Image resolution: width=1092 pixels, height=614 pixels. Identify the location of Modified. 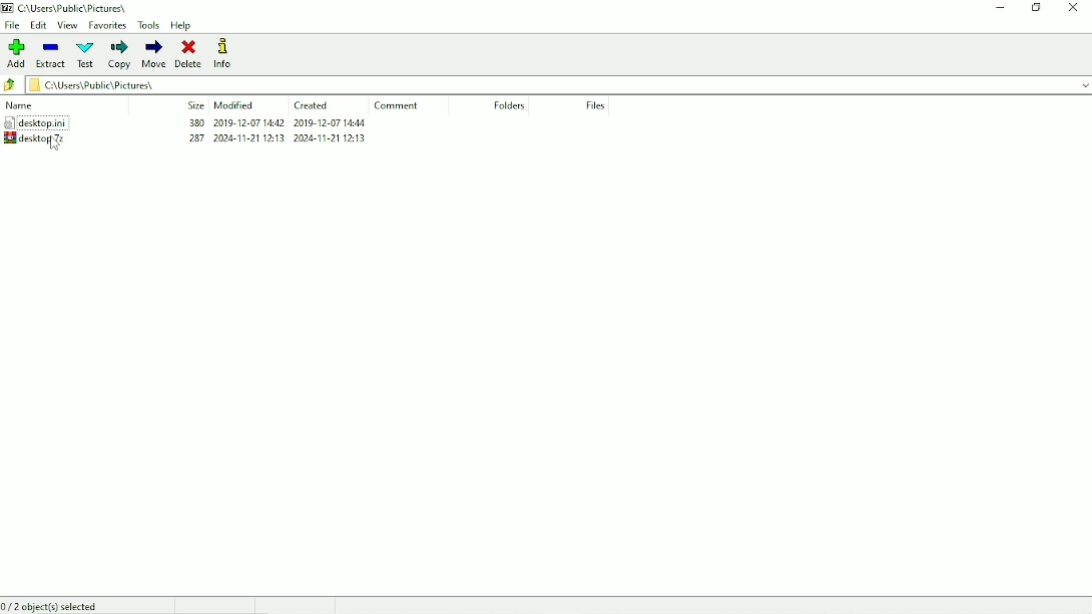
(235, 105).